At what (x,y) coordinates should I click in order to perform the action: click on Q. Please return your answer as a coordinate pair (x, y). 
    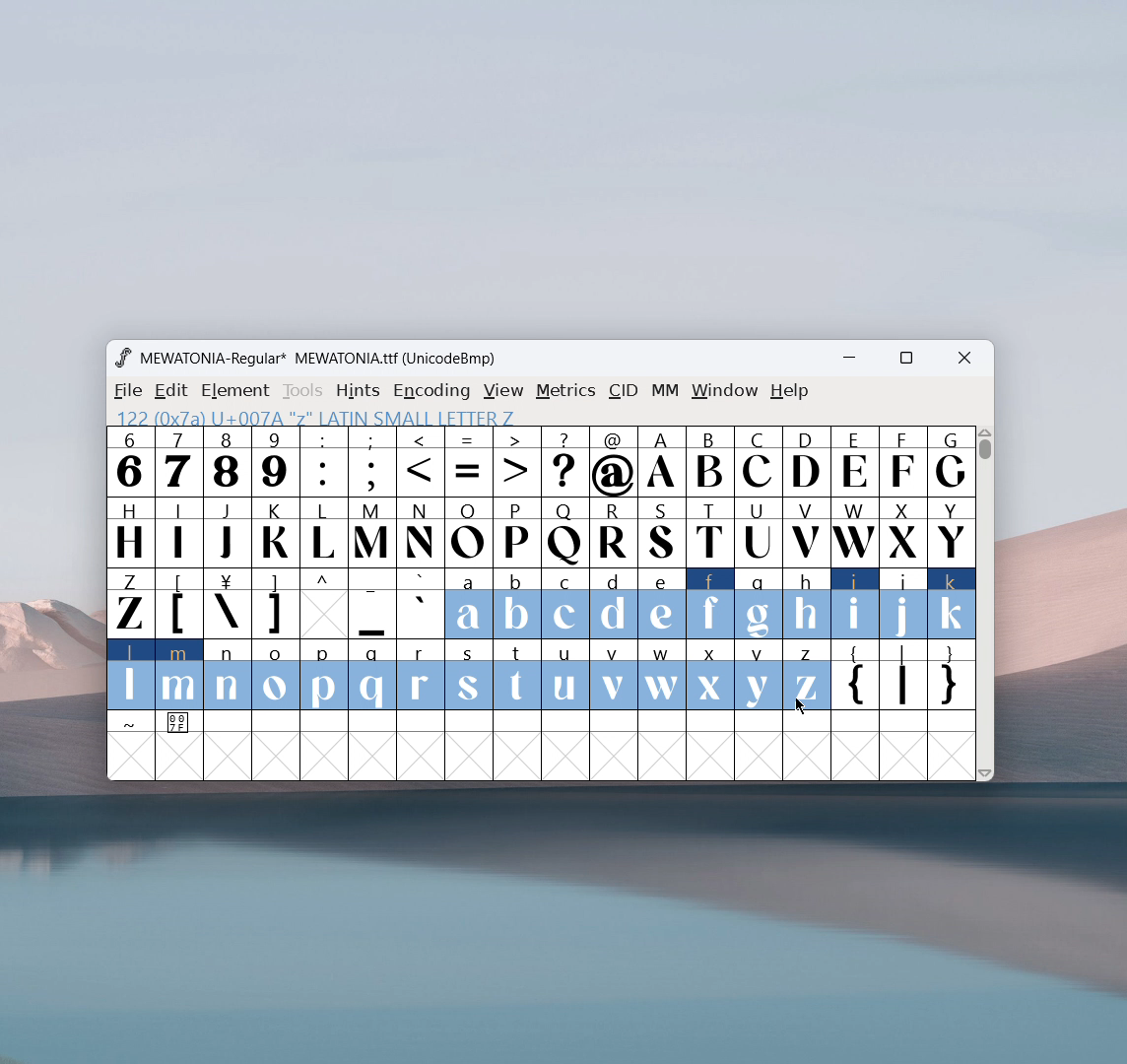
    Looking at the image, I should click on (564, 534).